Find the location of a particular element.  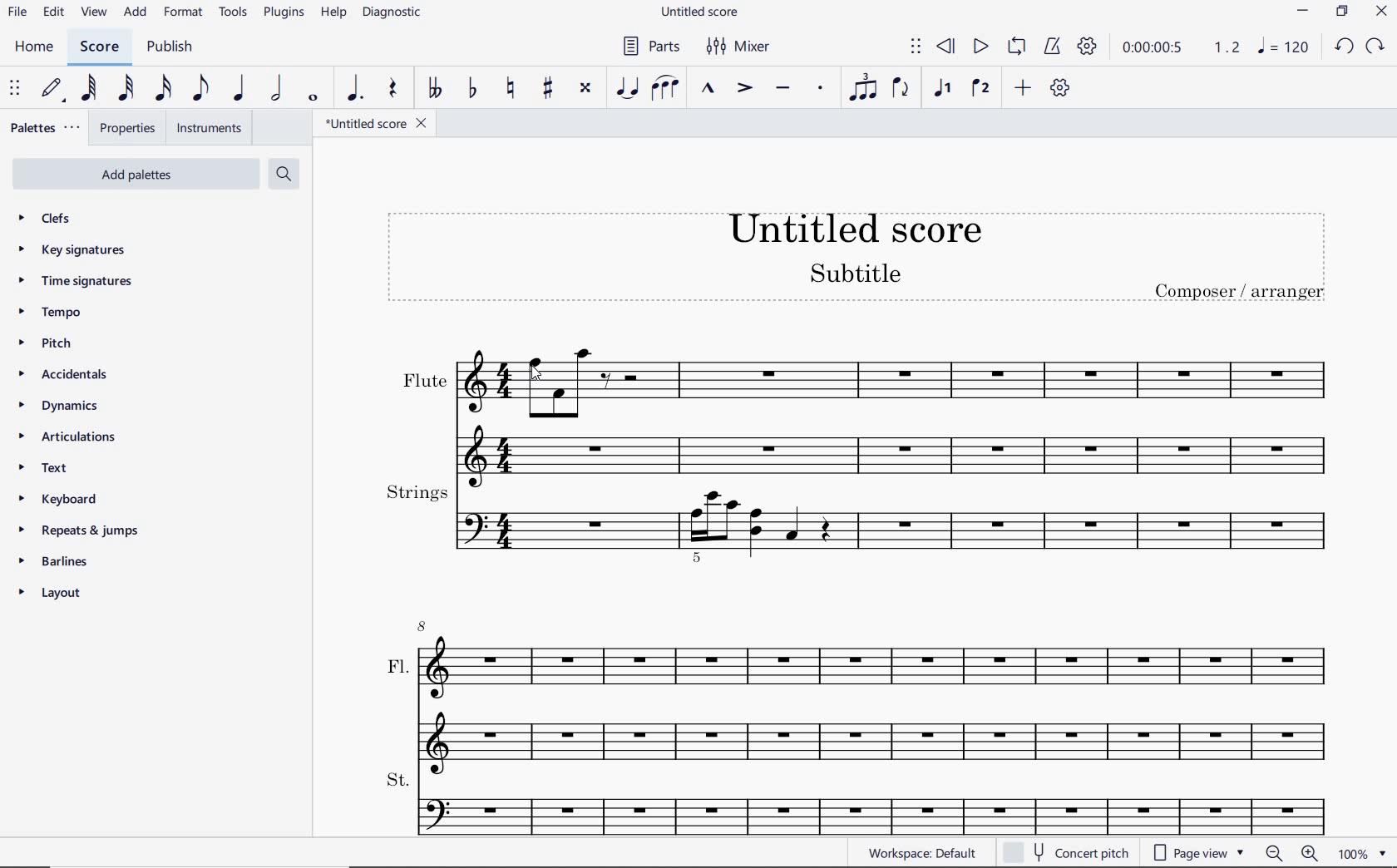

VOICE 1 is located at coordinates (940, 88).